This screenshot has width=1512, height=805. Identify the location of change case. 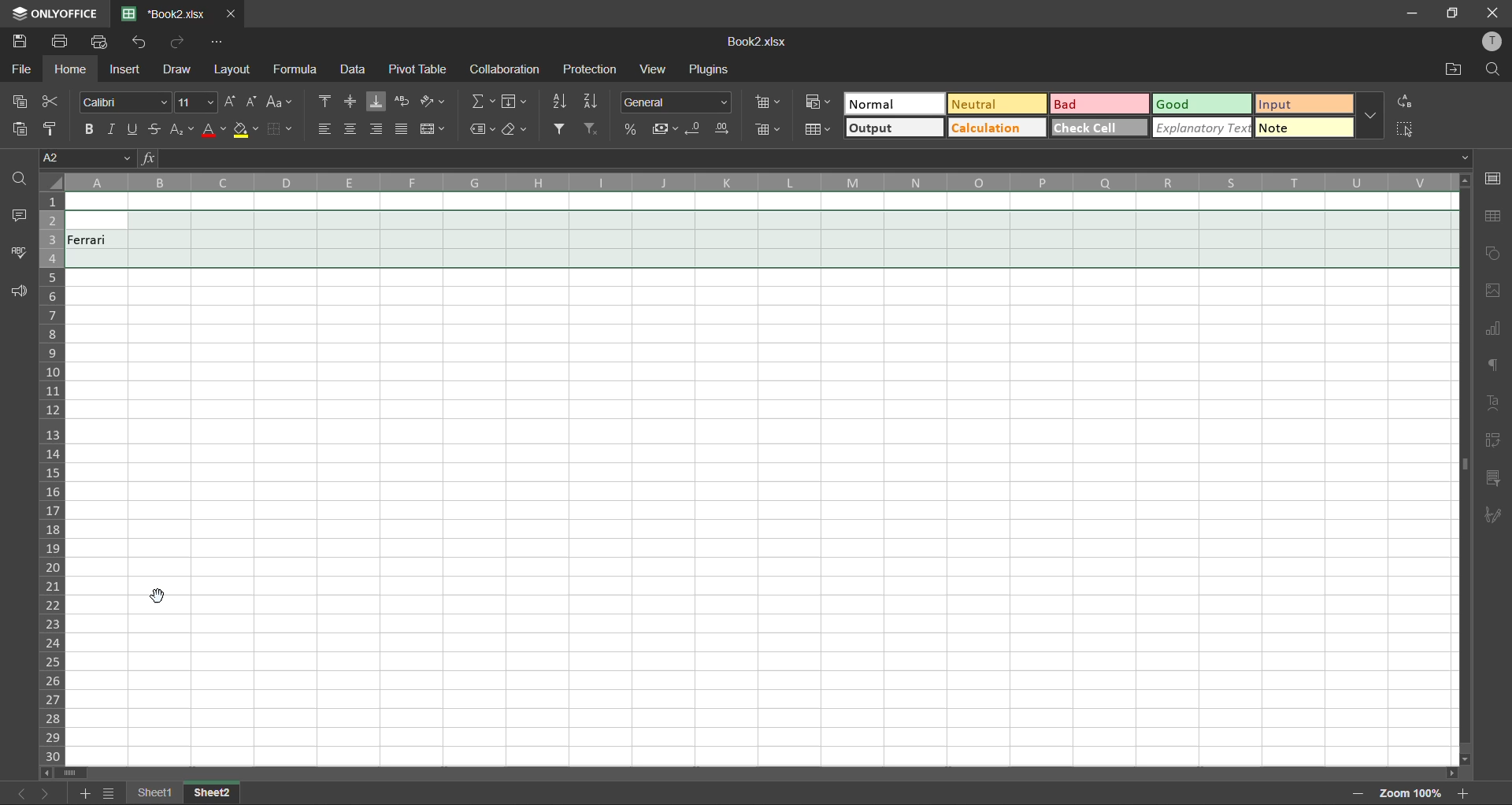
(282, 104).